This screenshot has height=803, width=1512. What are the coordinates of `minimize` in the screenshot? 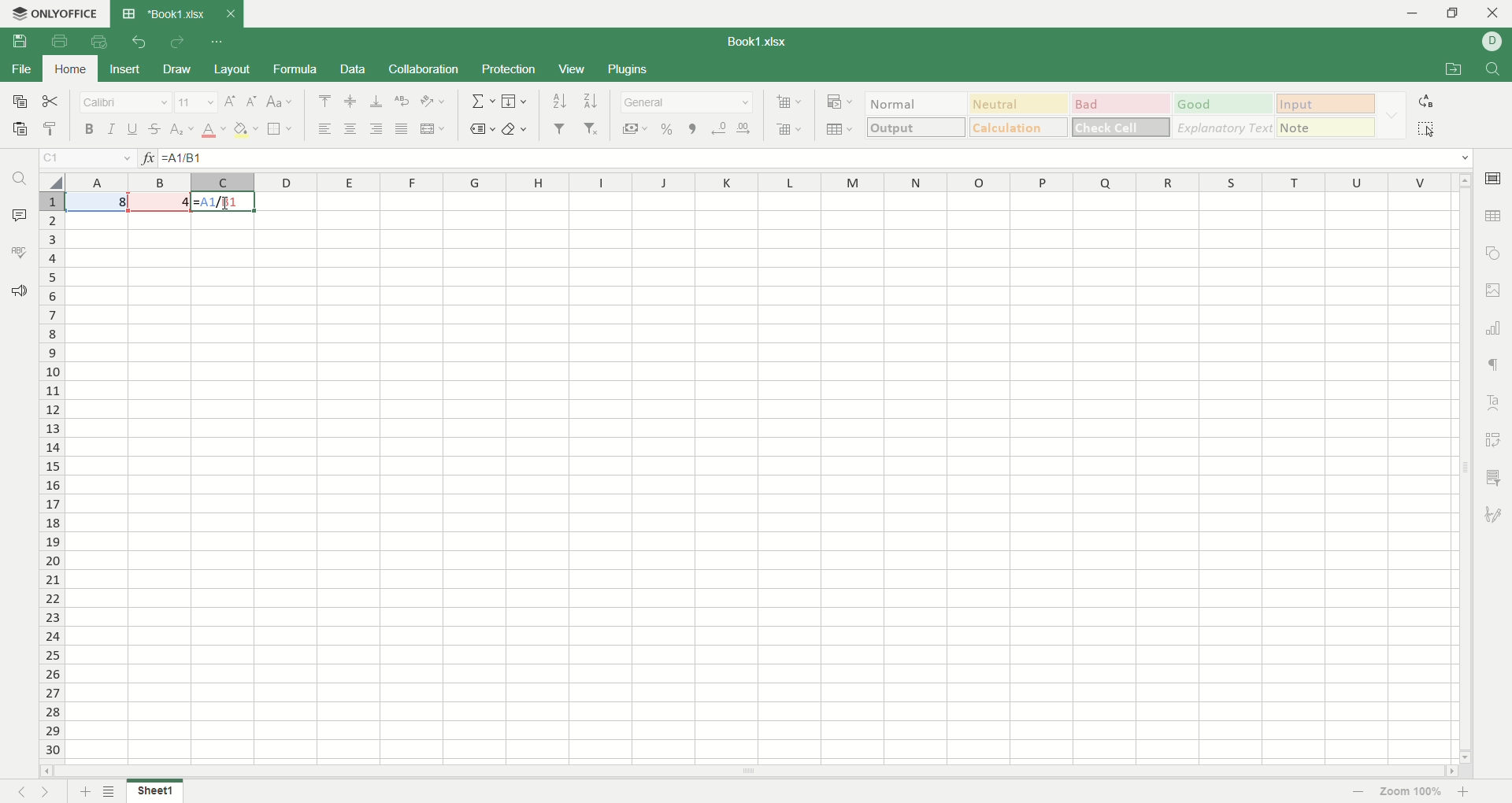 It's located at (1410, 15).